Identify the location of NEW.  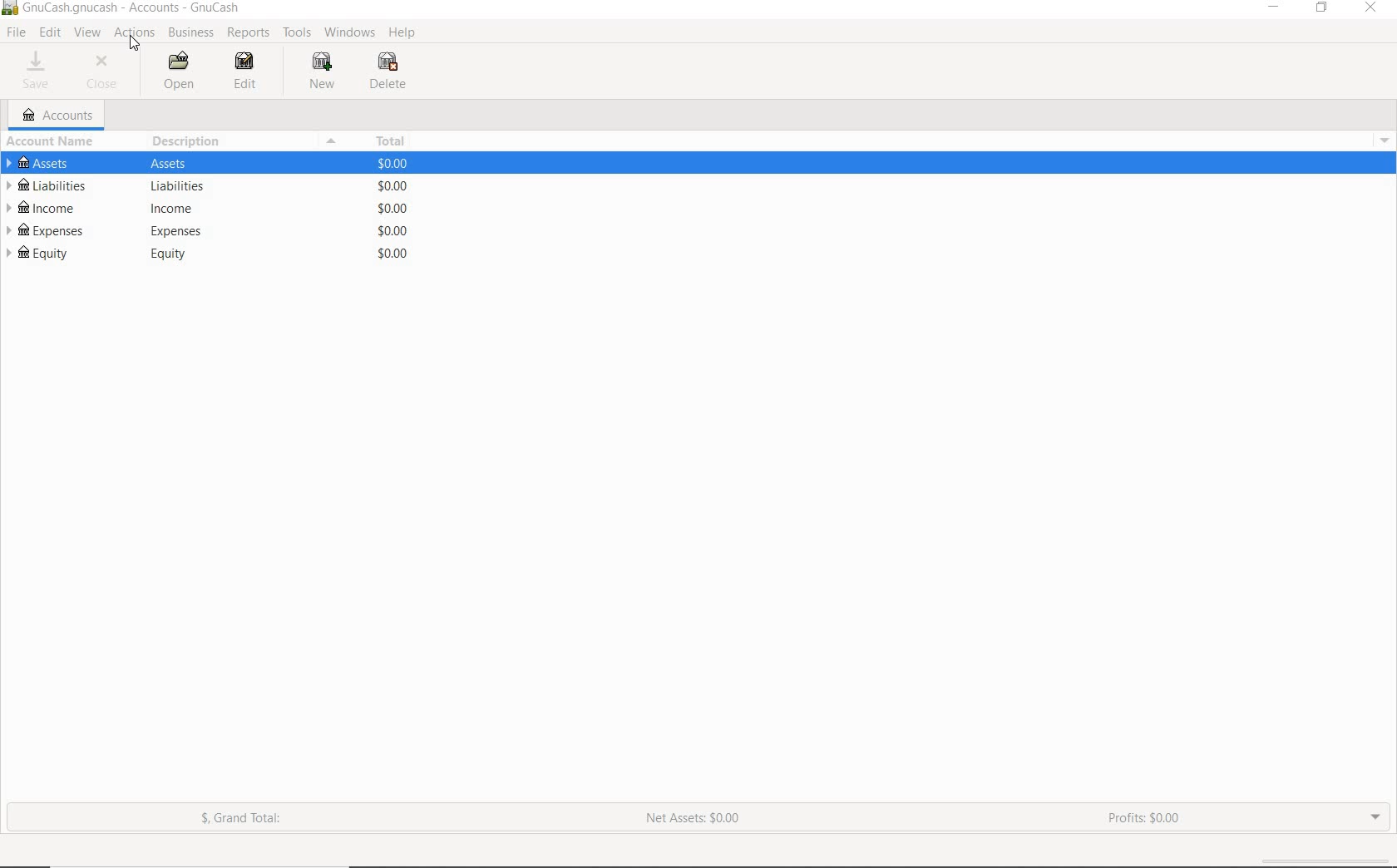
(320, 74).